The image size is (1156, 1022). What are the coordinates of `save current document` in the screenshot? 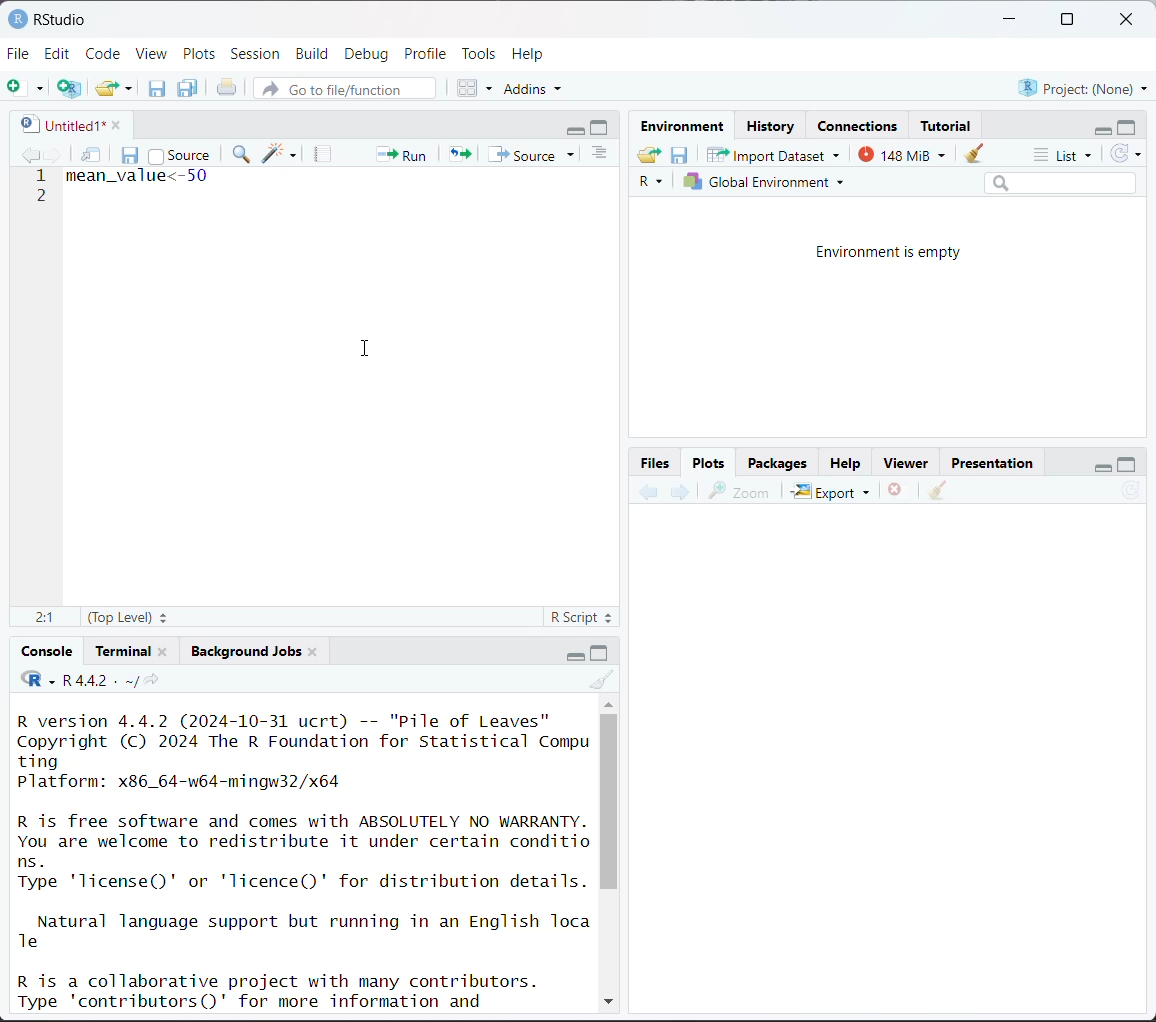 It's located at (157, 88).